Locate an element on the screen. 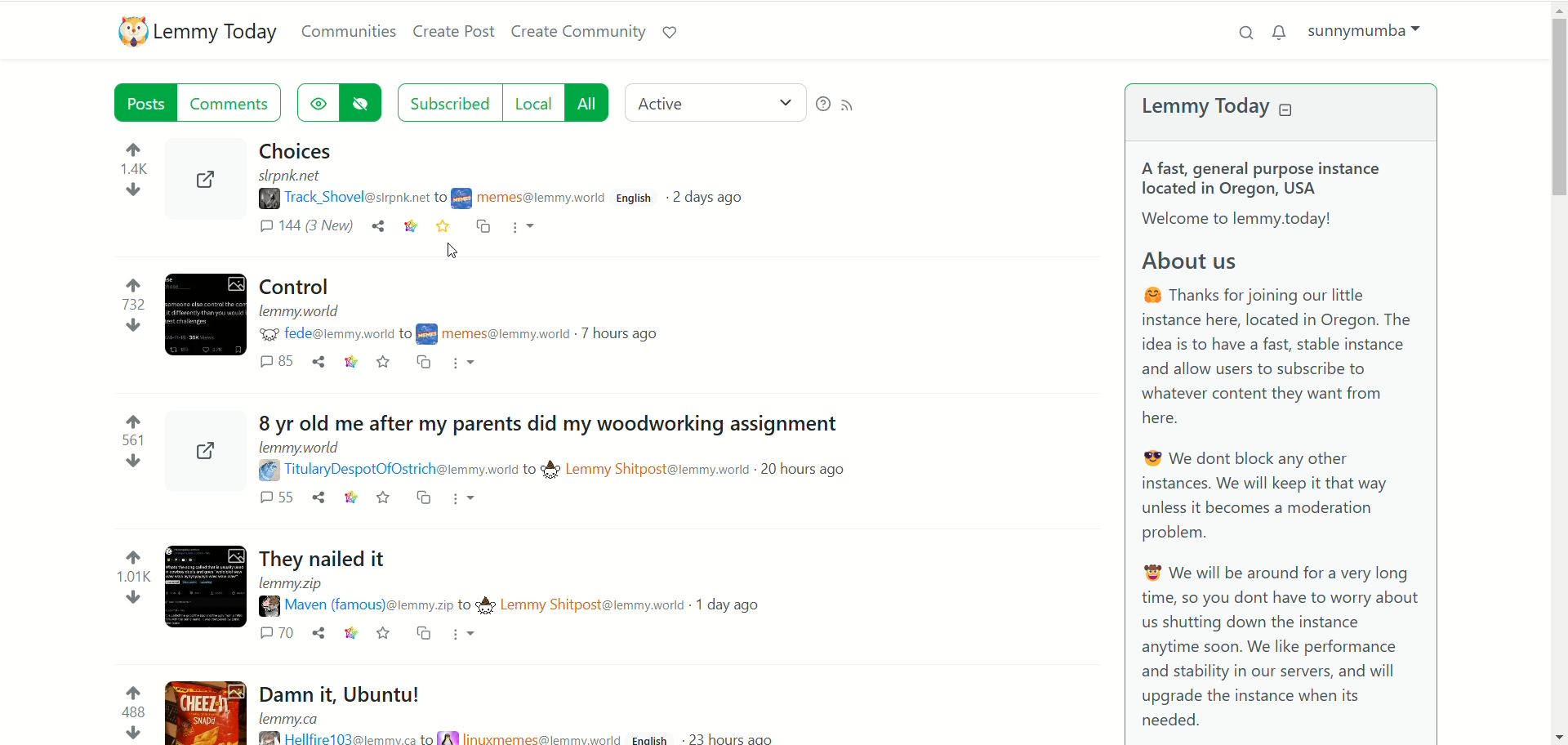 This screenshot has width=1568, height=745. share is located at coordinates (321, 363).